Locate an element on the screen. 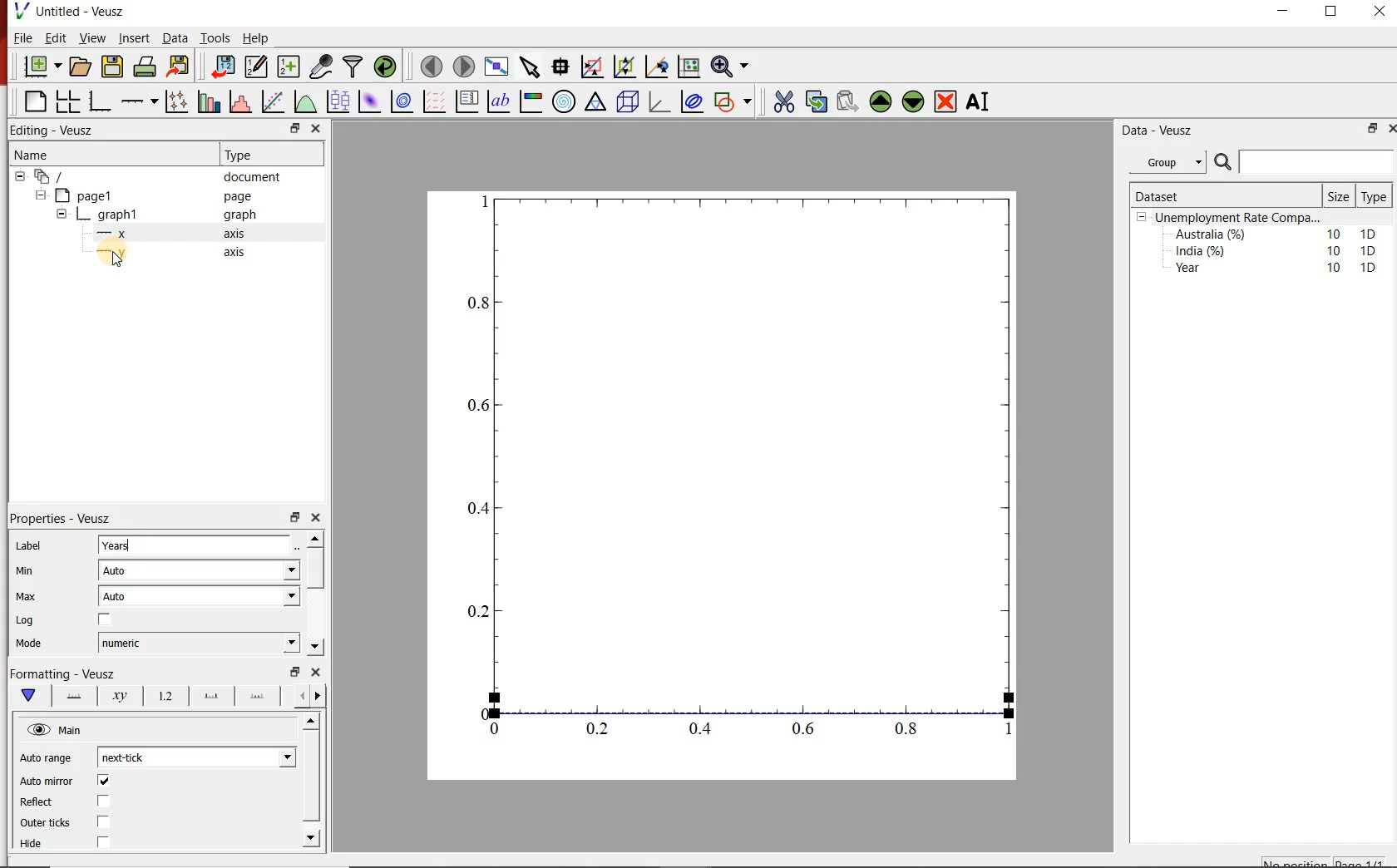 The width and height of the screenshot is (1397, 868). Untitled - Veusz is located at coordinates (68, 10).